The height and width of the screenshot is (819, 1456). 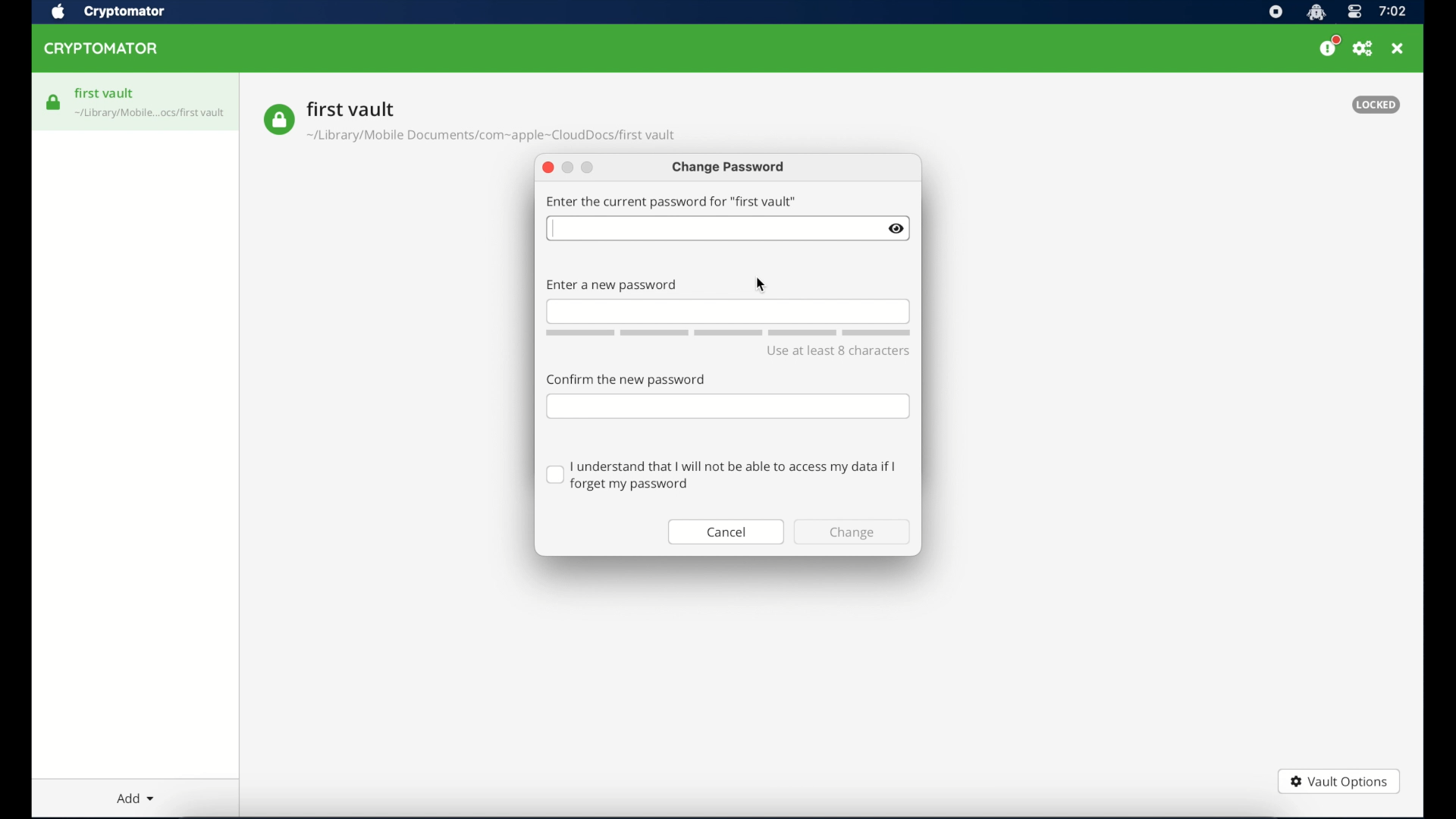 I want to click on cursor, so click(x=555, y=229).